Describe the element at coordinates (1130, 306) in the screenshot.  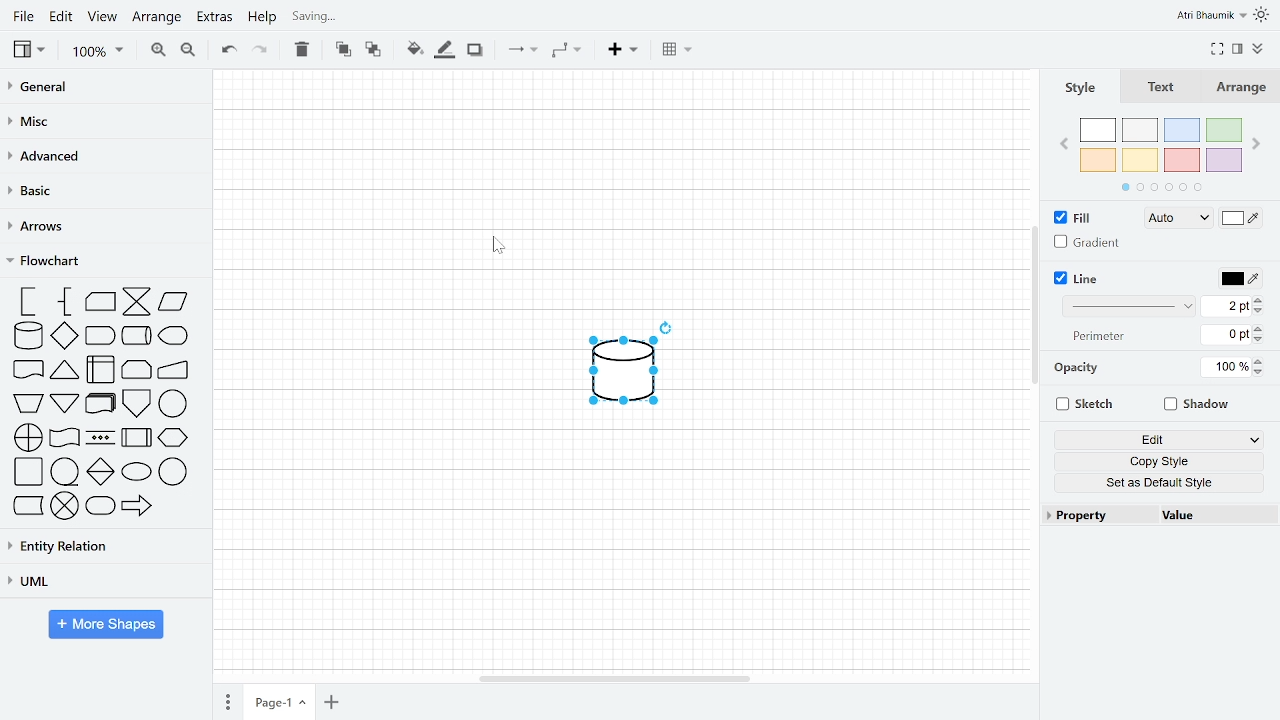
I see `Line style` at that location.